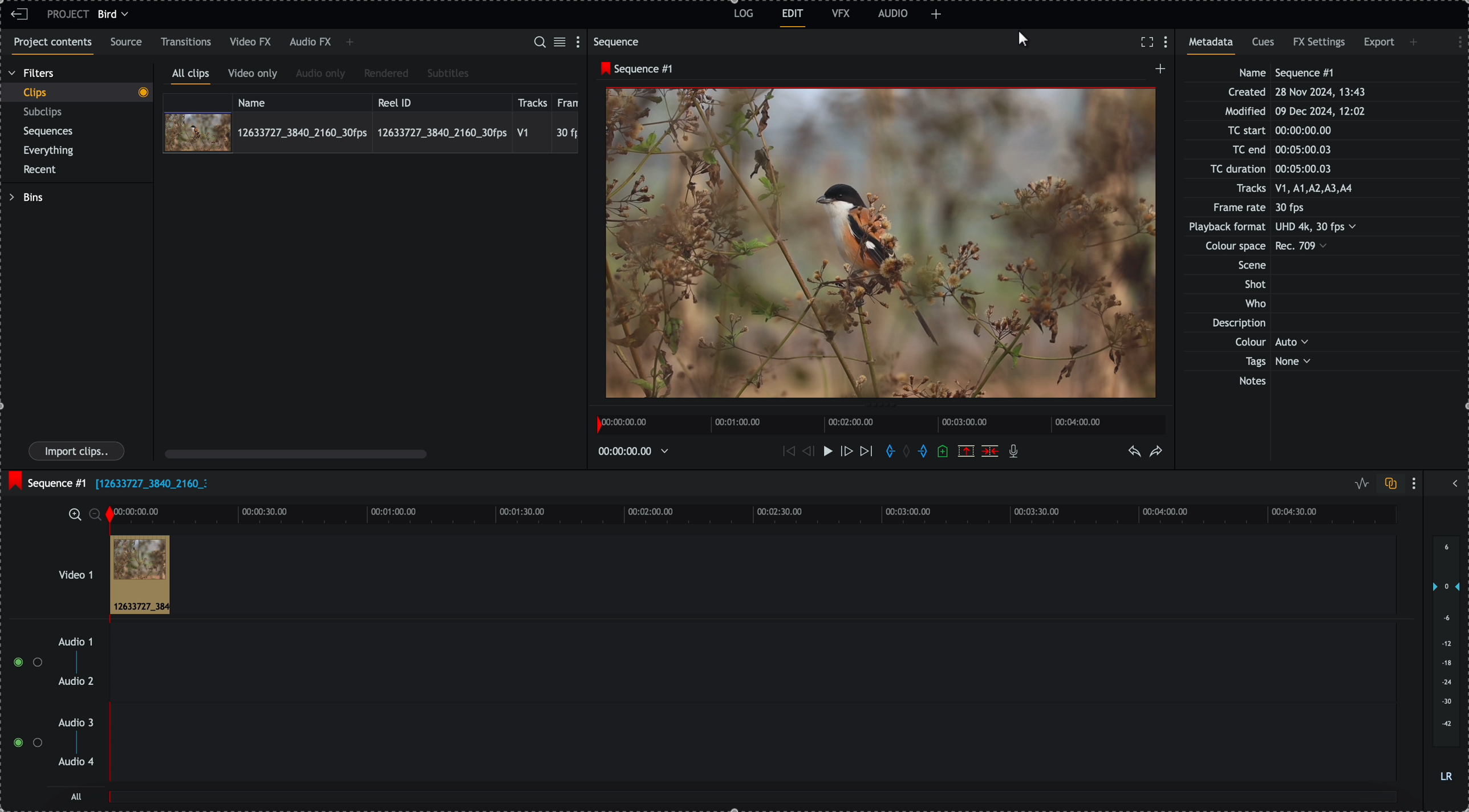 The image size is (1469, 812). Describe the element at coordinates (846, 452) in the screenshot. I see `nudge one frame foward` at that location.